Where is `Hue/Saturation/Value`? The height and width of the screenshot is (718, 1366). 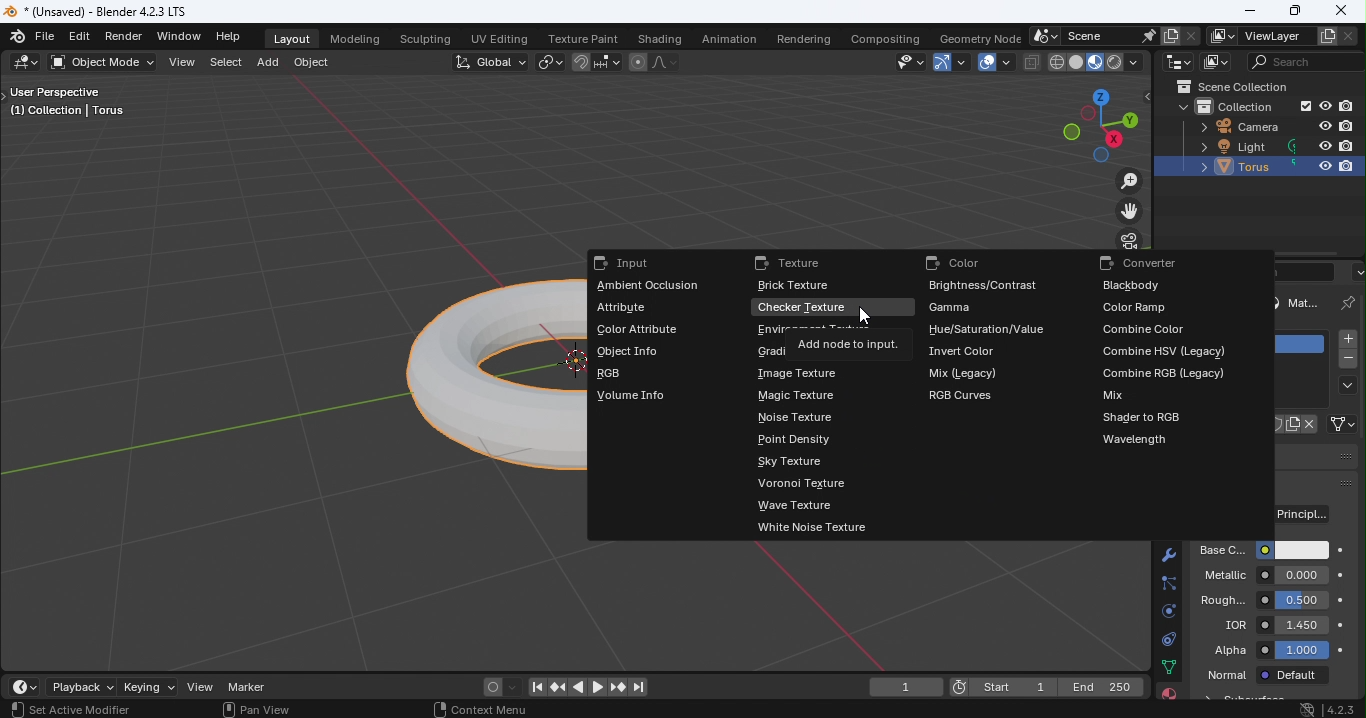 Hue/Saturation/Value is located at coordinates (982, 328).